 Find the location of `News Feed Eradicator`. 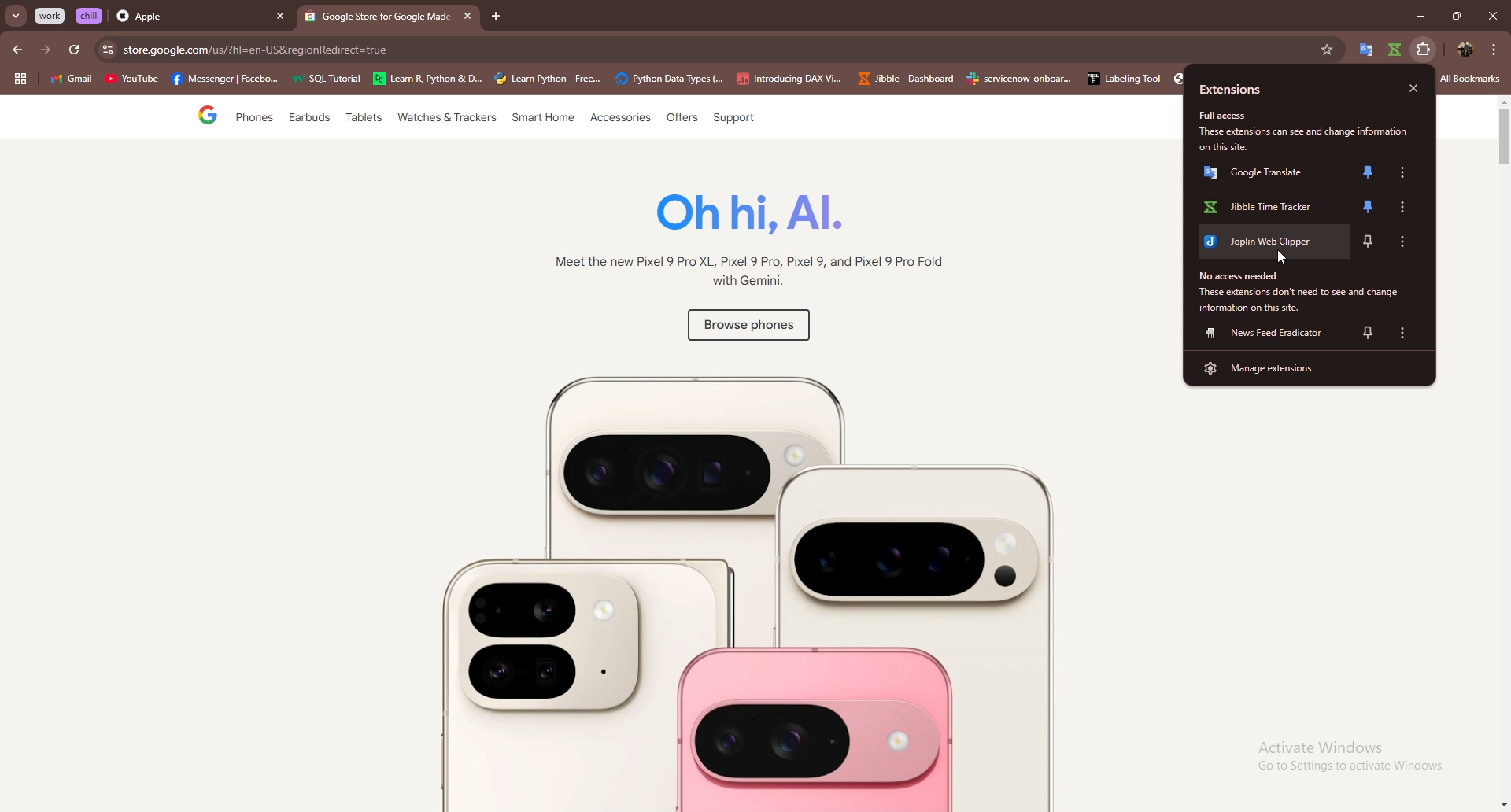

News Feed Eradicator is located at coordinates (1266, 333).